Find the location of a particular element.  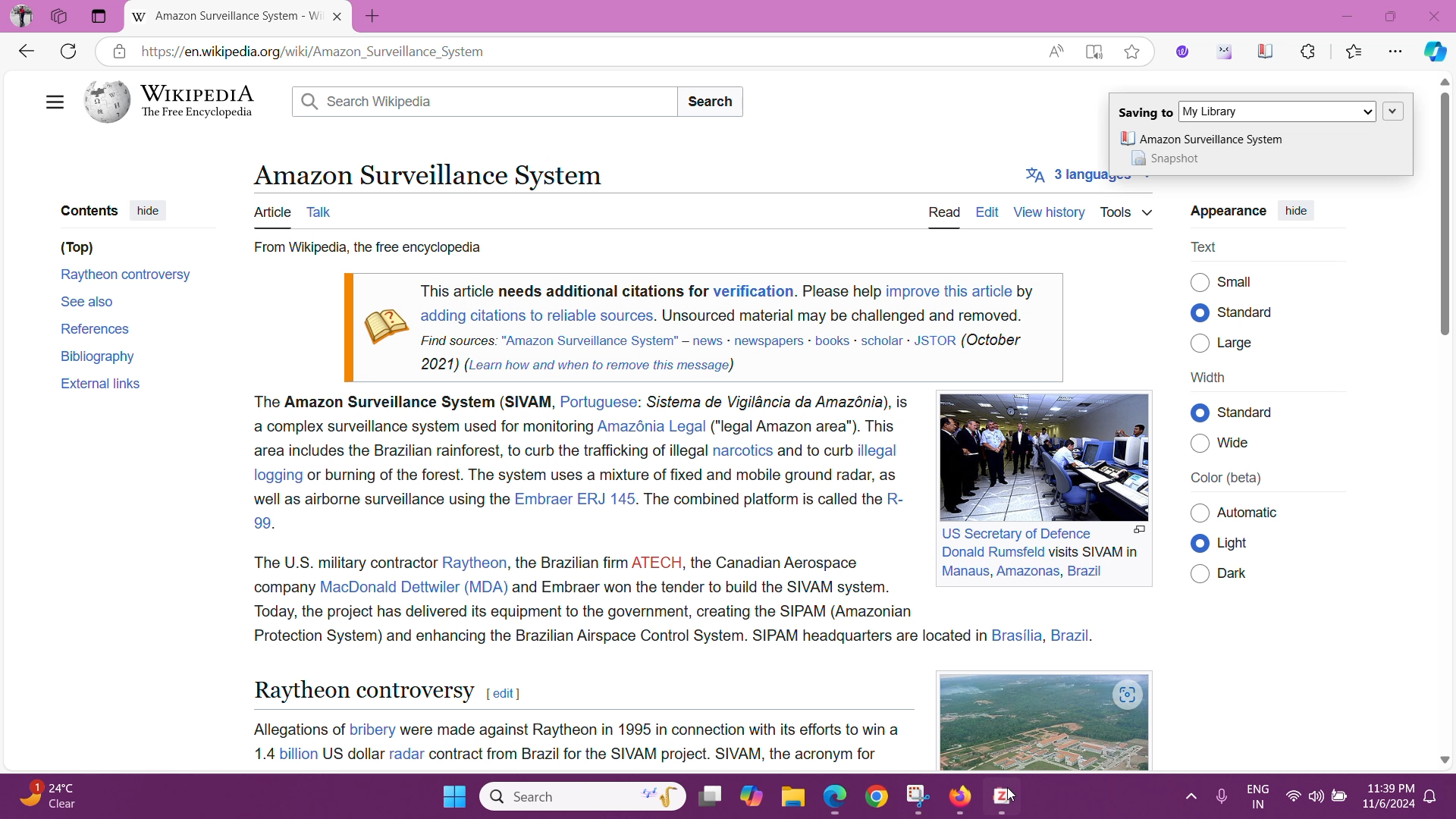

image is located at coordinates (975, 721).